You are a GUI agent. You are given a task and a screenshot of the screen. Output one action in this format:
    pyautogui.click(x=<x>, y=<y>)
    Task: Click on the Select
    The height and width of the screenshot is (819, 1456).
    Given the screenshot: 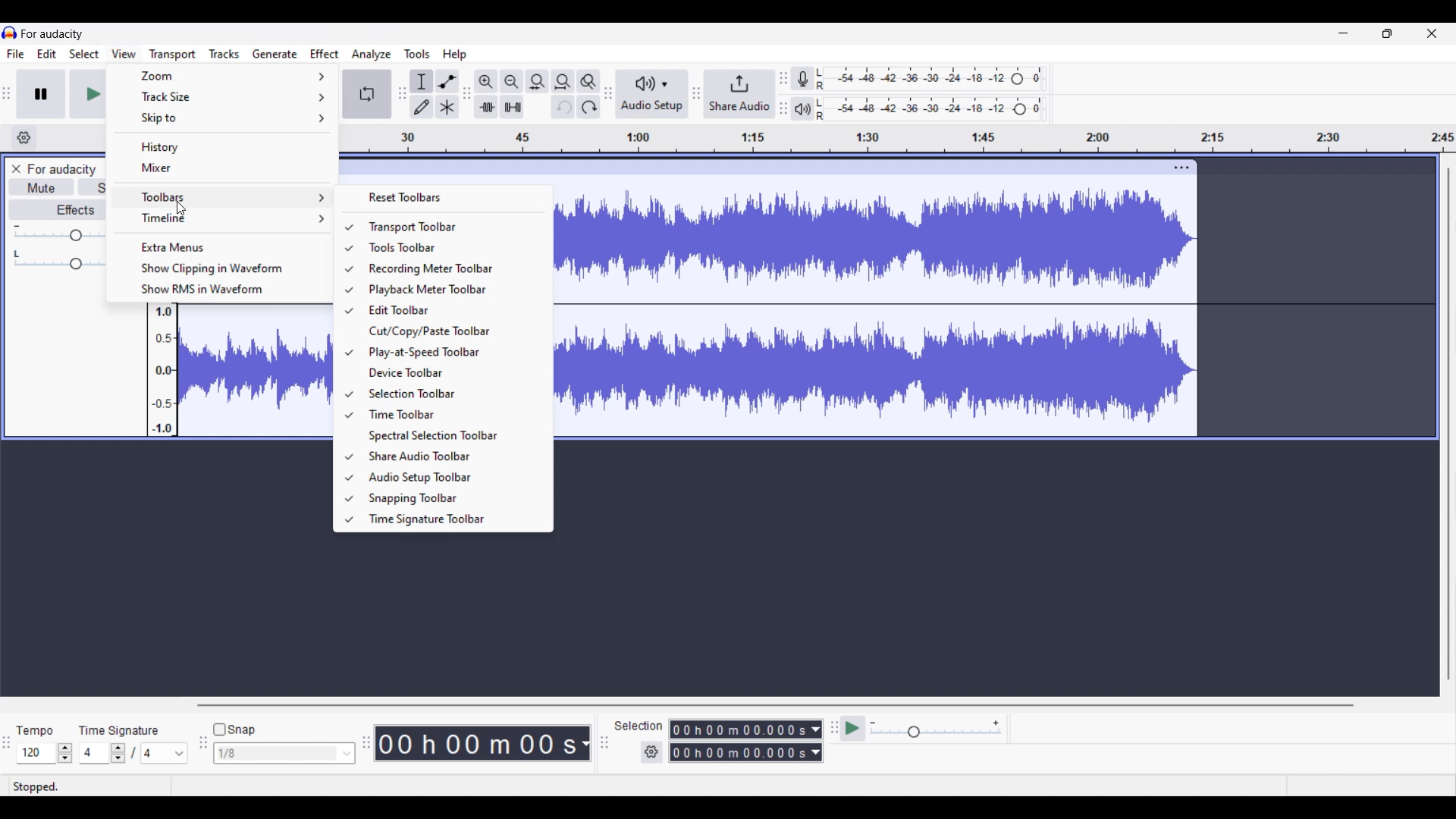 What is the action you would take?
    pyautogui.click(x=85, y=53)
    